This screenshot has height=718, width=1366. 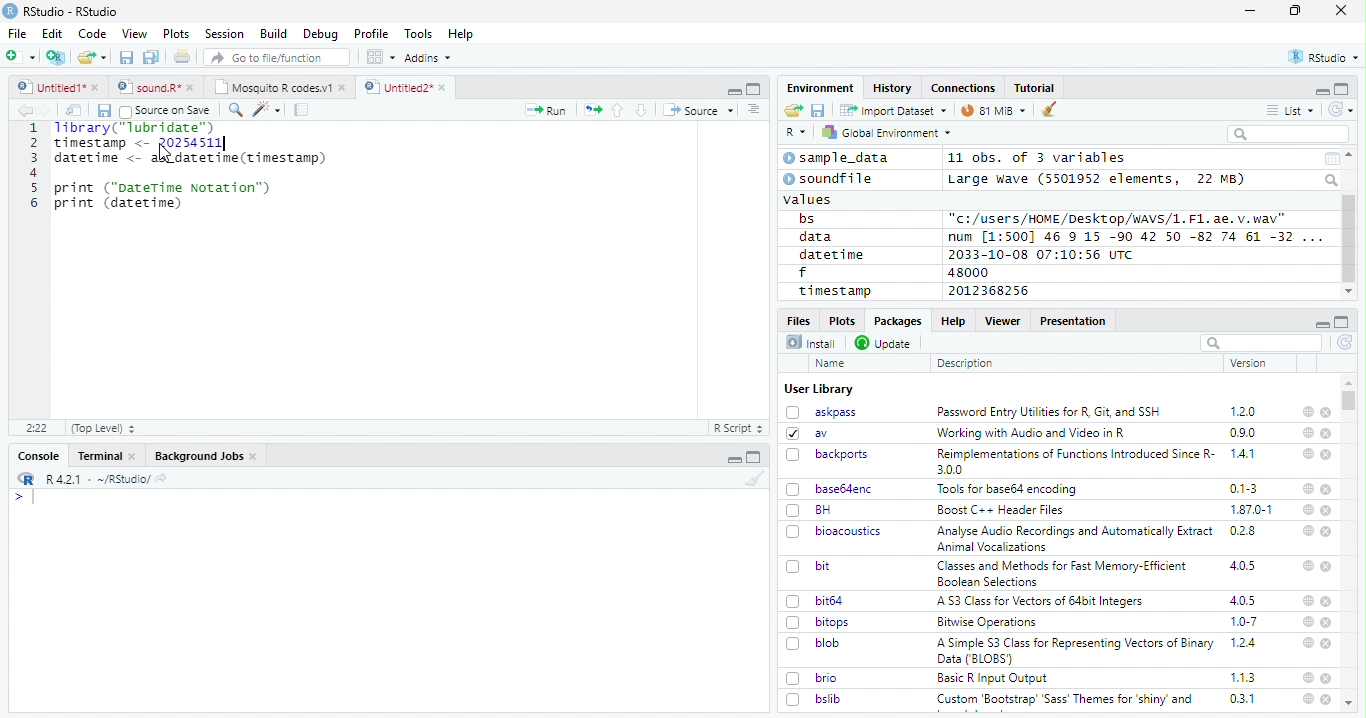 I want to click on timestamp, so click(x=834, y=290).